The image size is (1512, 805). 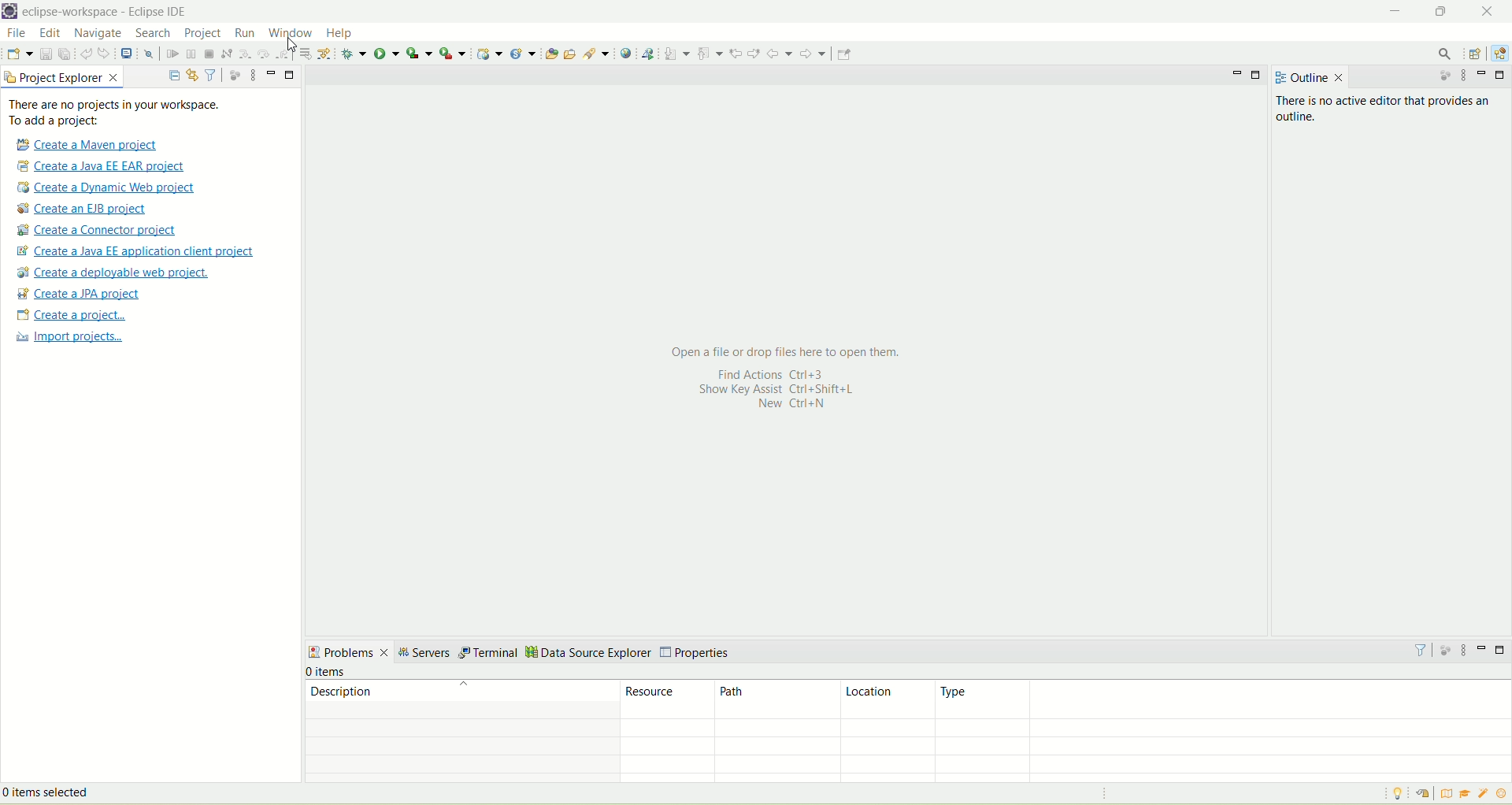 What do you see at coordinates (676, 54) in the screenshot?
I see `next annotation` at bounding box center [676, 54].